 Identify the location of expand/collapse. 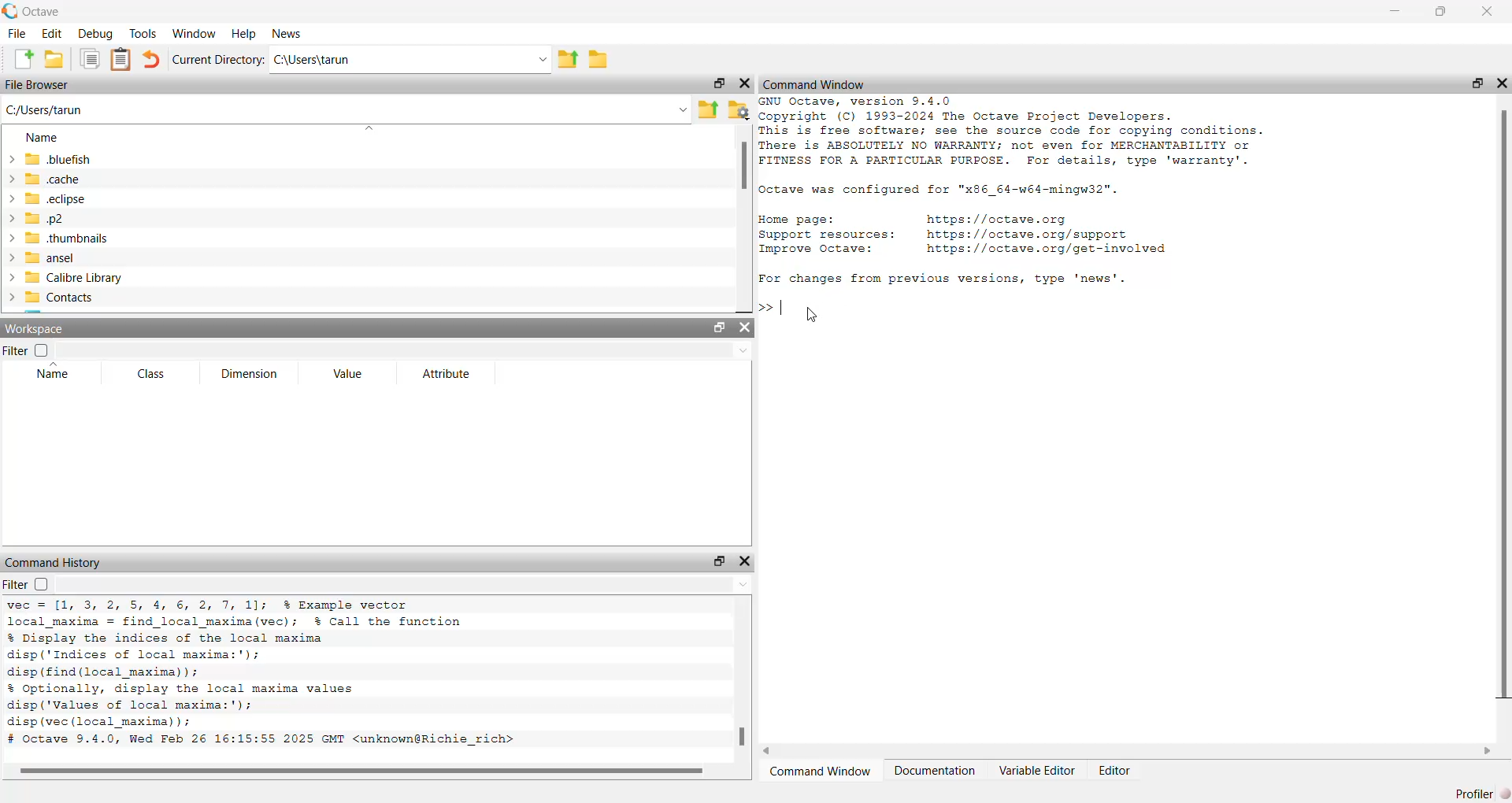
(10, 230).